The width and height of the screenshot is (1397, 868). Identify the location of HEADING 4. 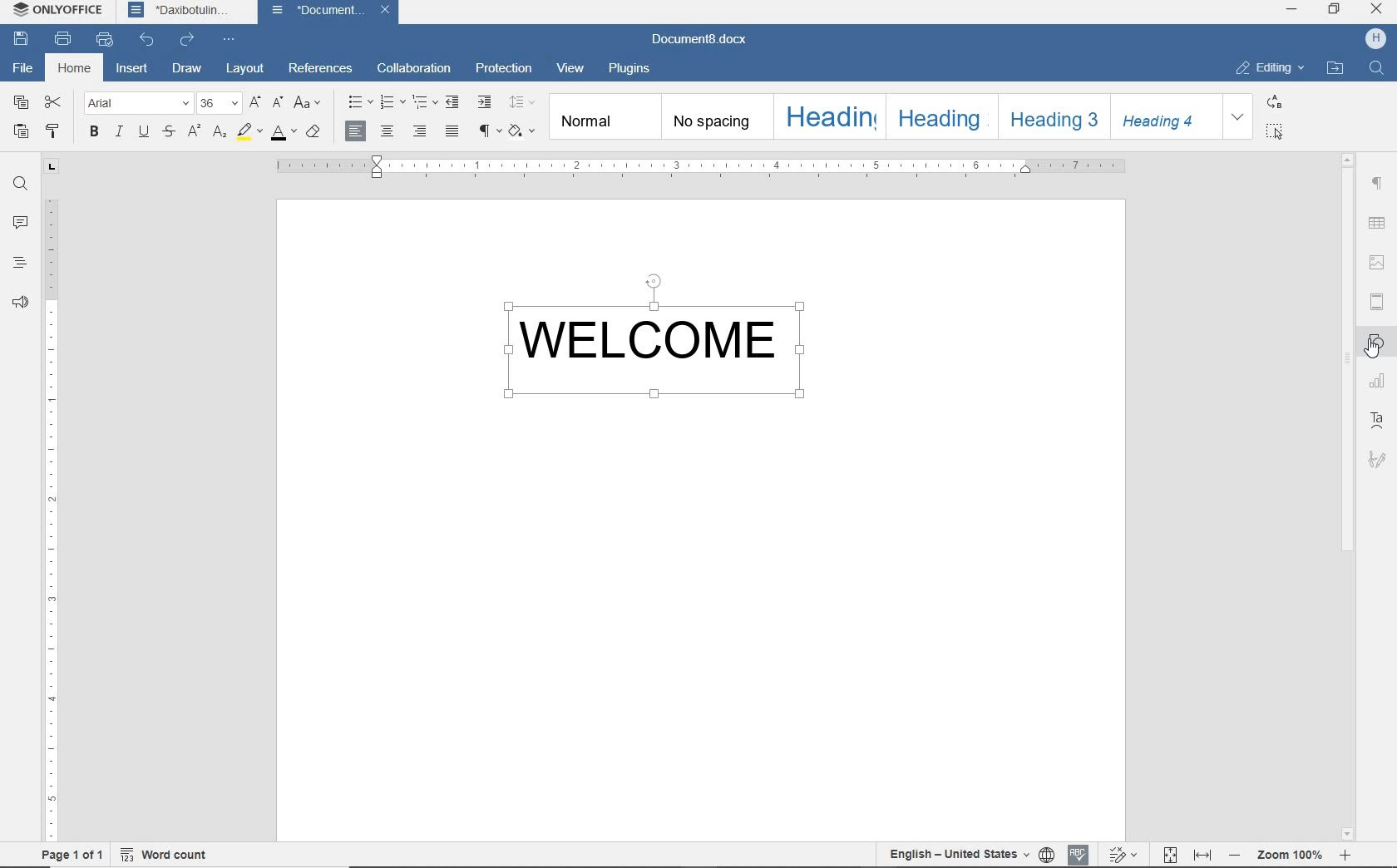
(1162, 116).